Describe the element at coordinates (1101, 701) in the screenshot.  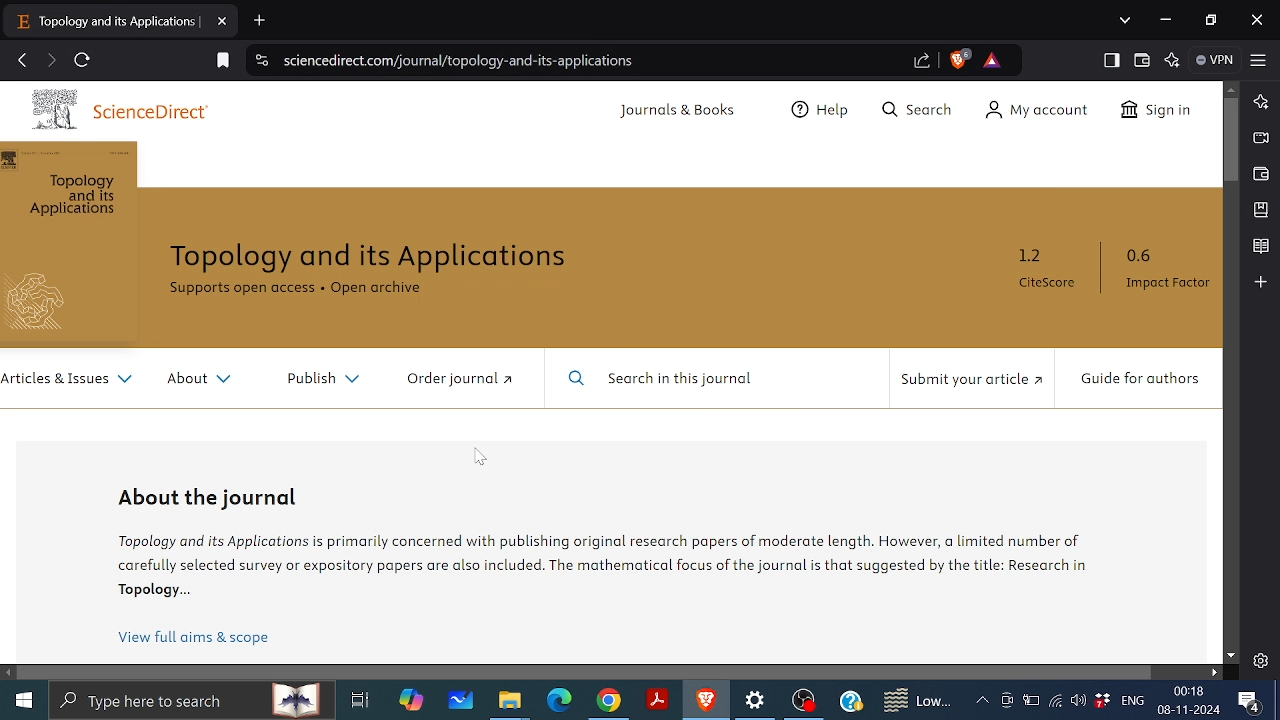
I see `Dropbox` at that location.